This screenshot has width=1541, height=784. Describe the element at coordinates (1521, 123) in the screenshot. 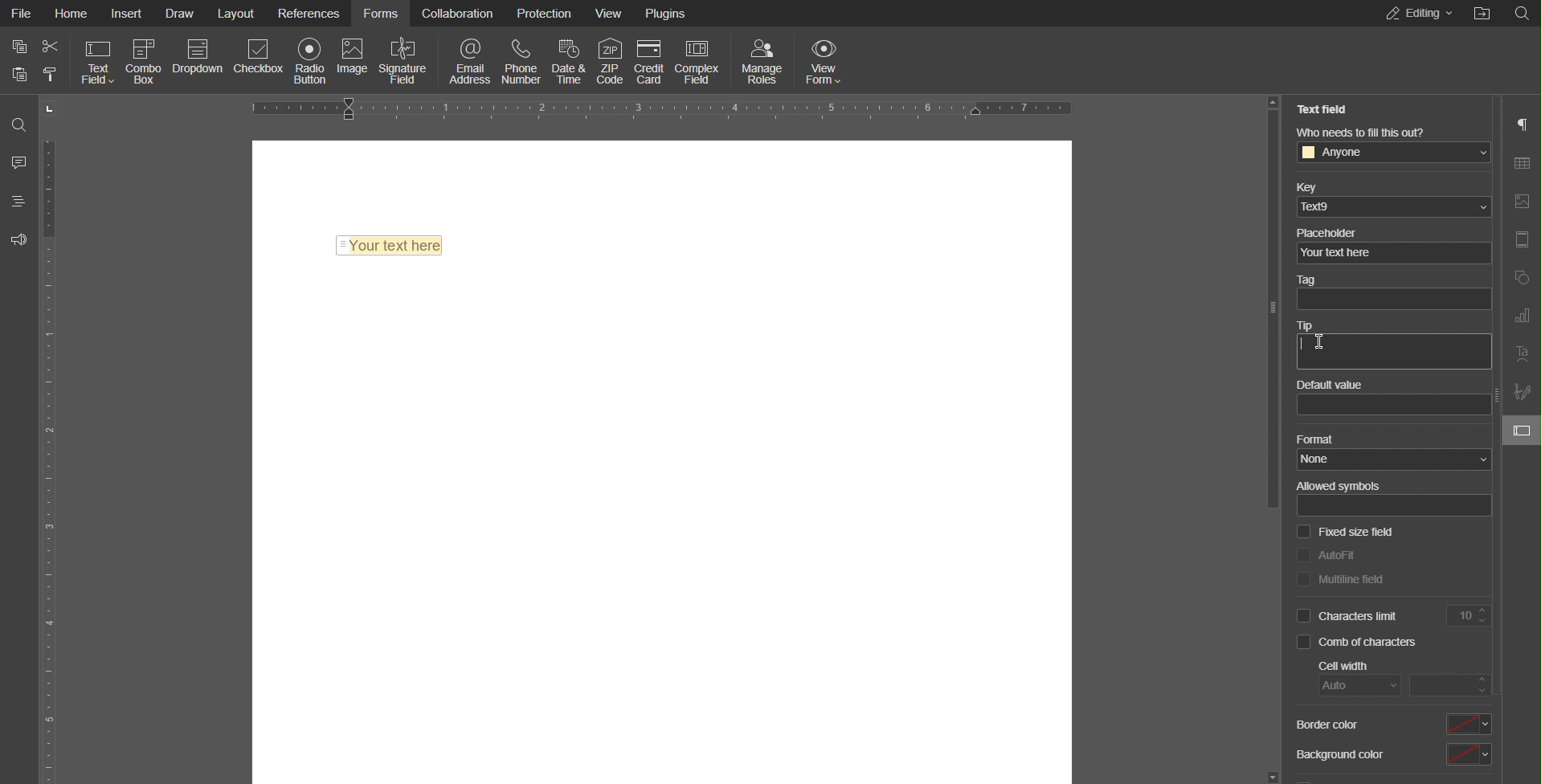

I see `Paragraph Settings` at that location.